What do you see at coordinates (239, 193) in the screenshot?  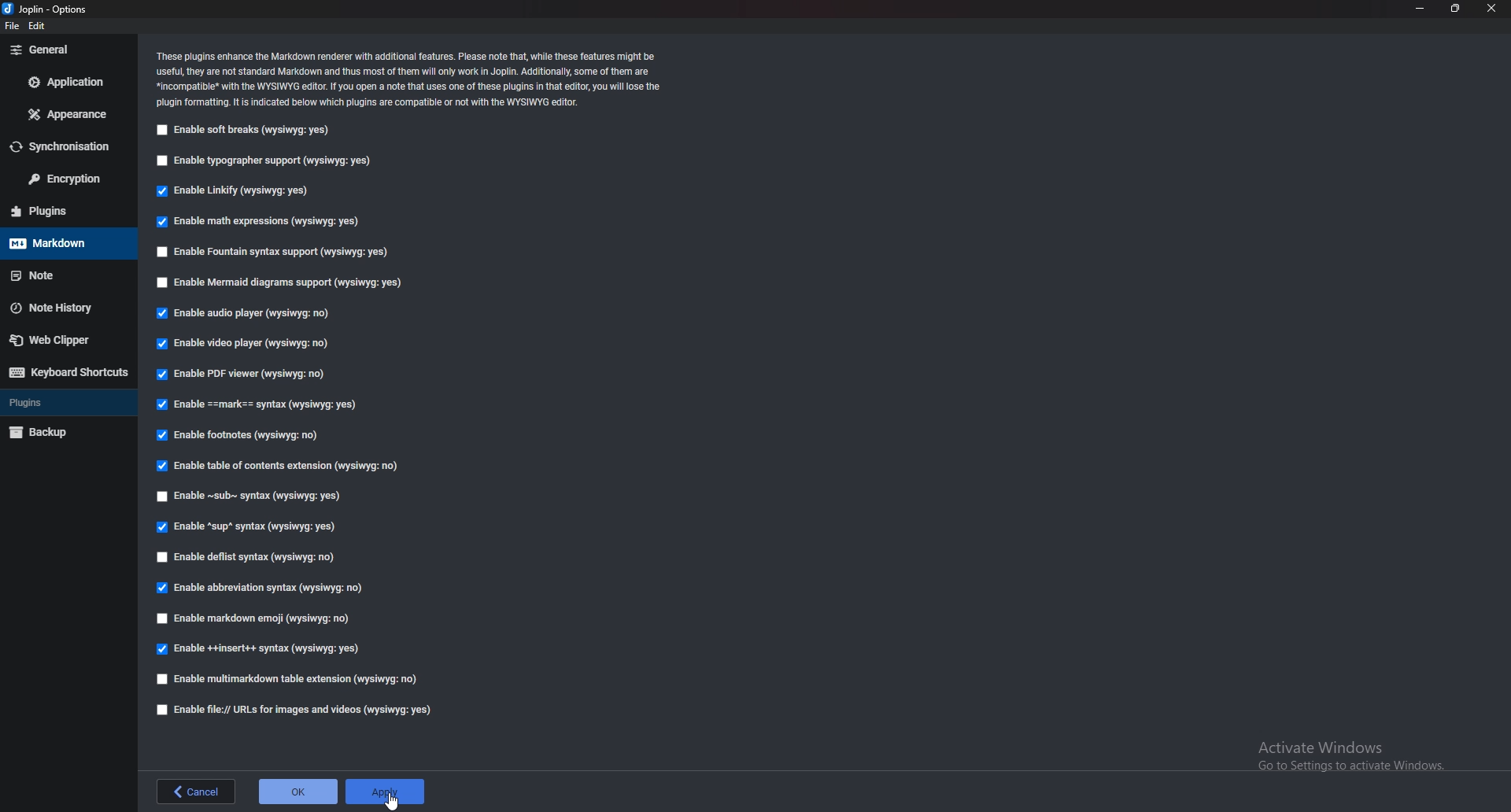 I see `Enable linkify` at bounding box center [239, 193].